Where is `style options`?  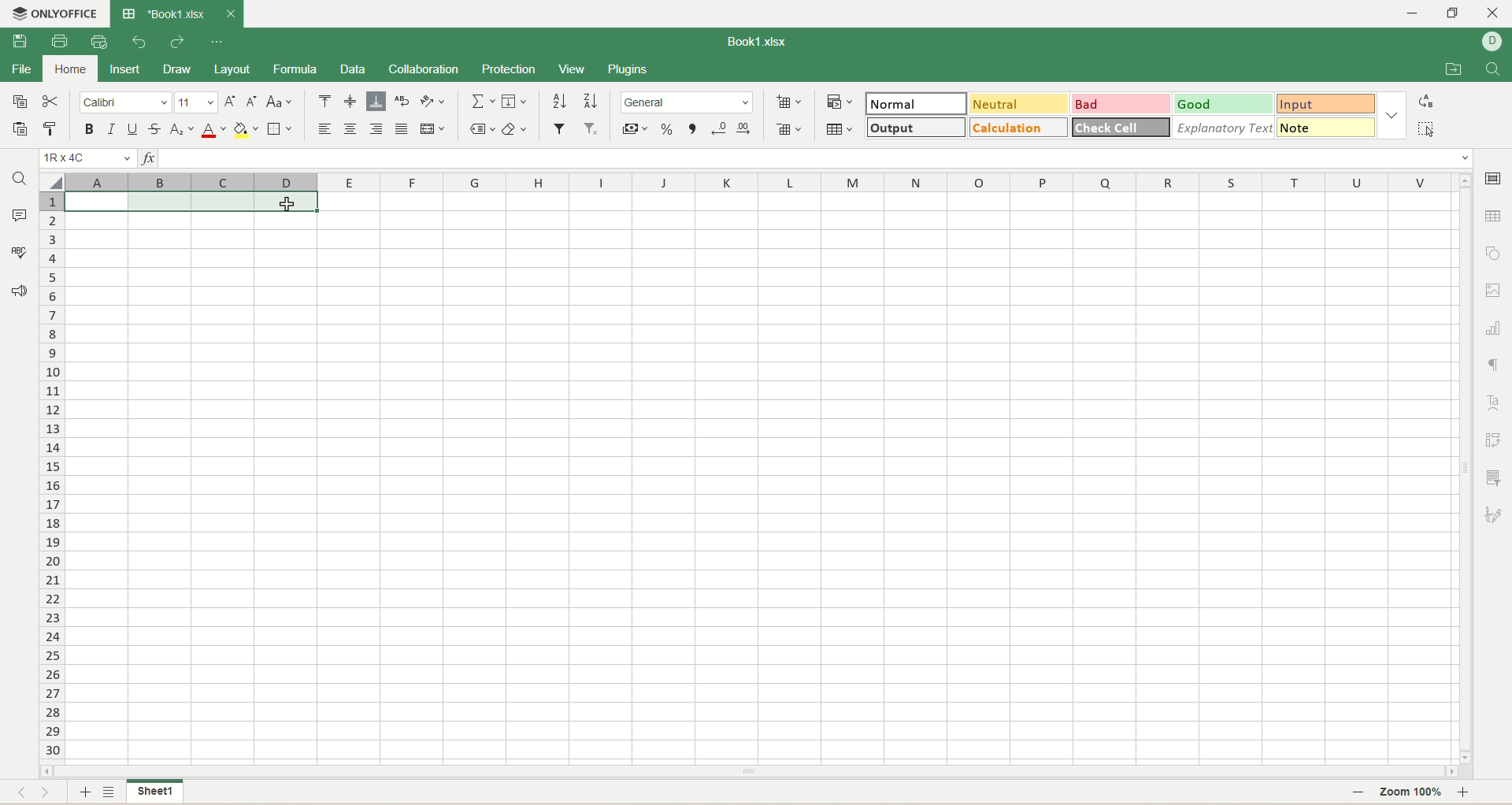 style options is located at coordinates (1390, 114).